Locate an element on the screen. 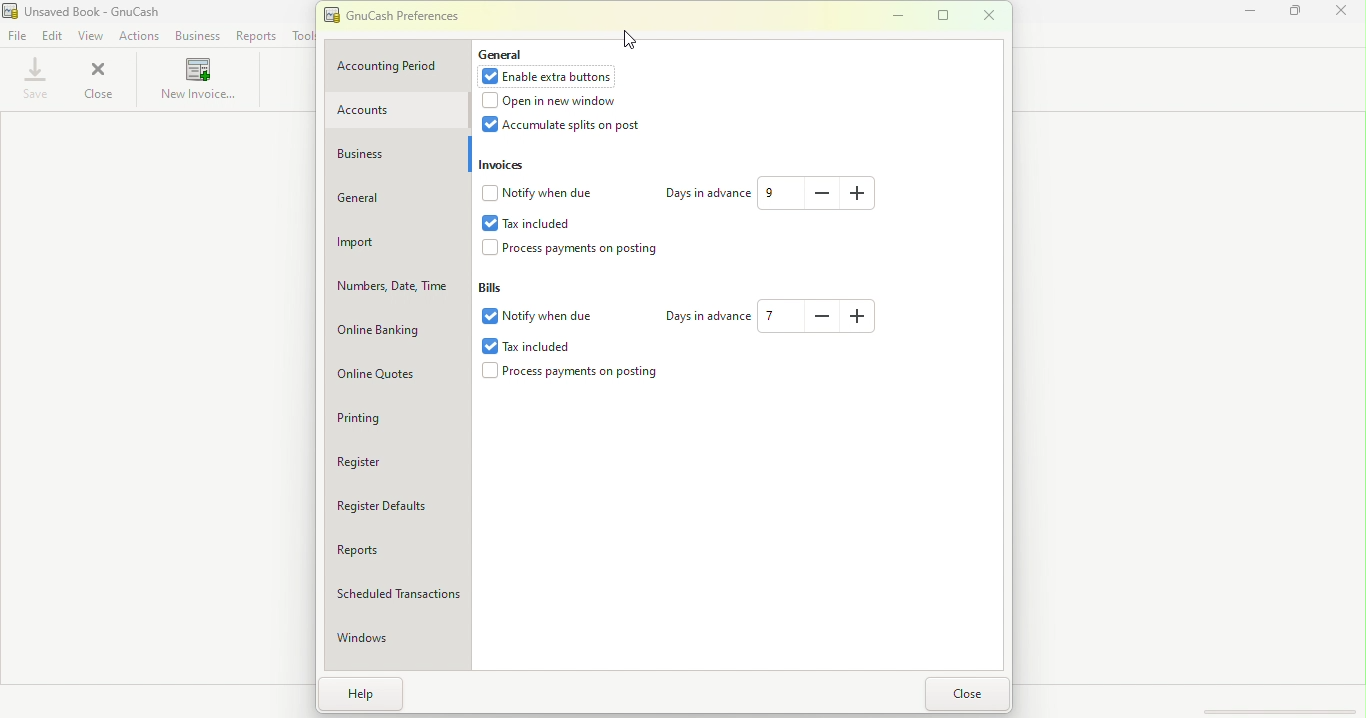  Business is located at coordinates (398, 155).